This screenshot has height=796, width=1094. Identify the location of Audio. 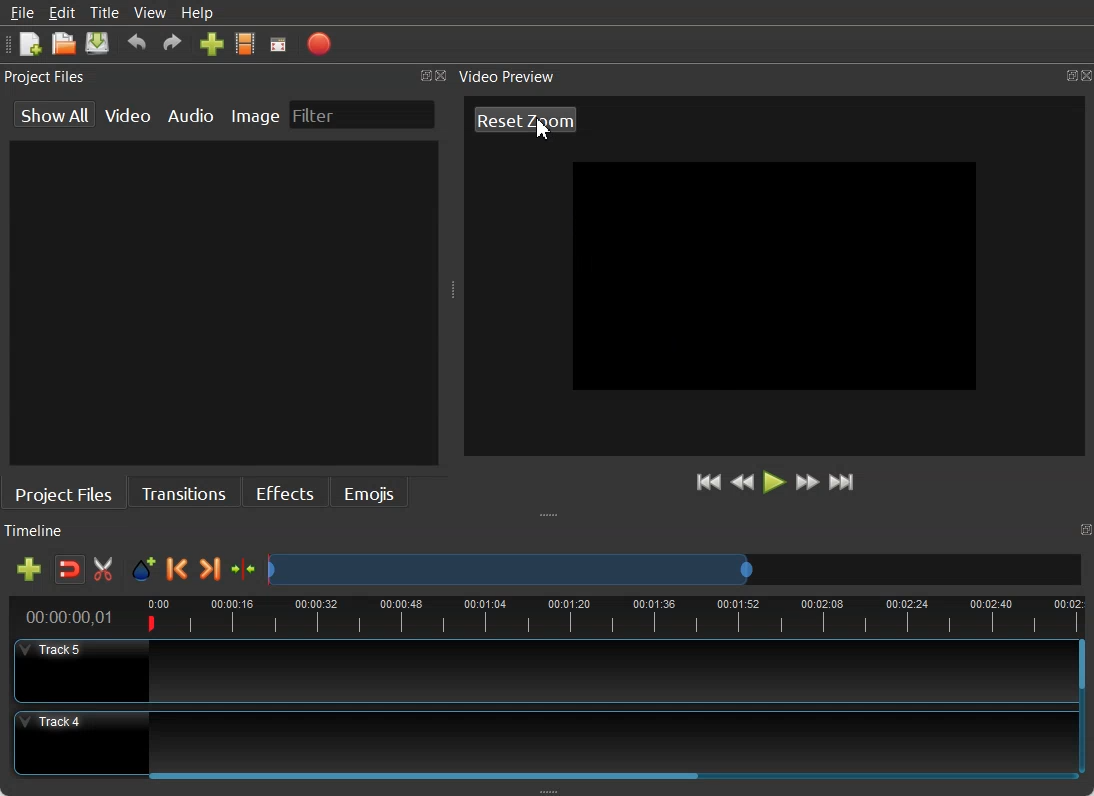
(190, 115).